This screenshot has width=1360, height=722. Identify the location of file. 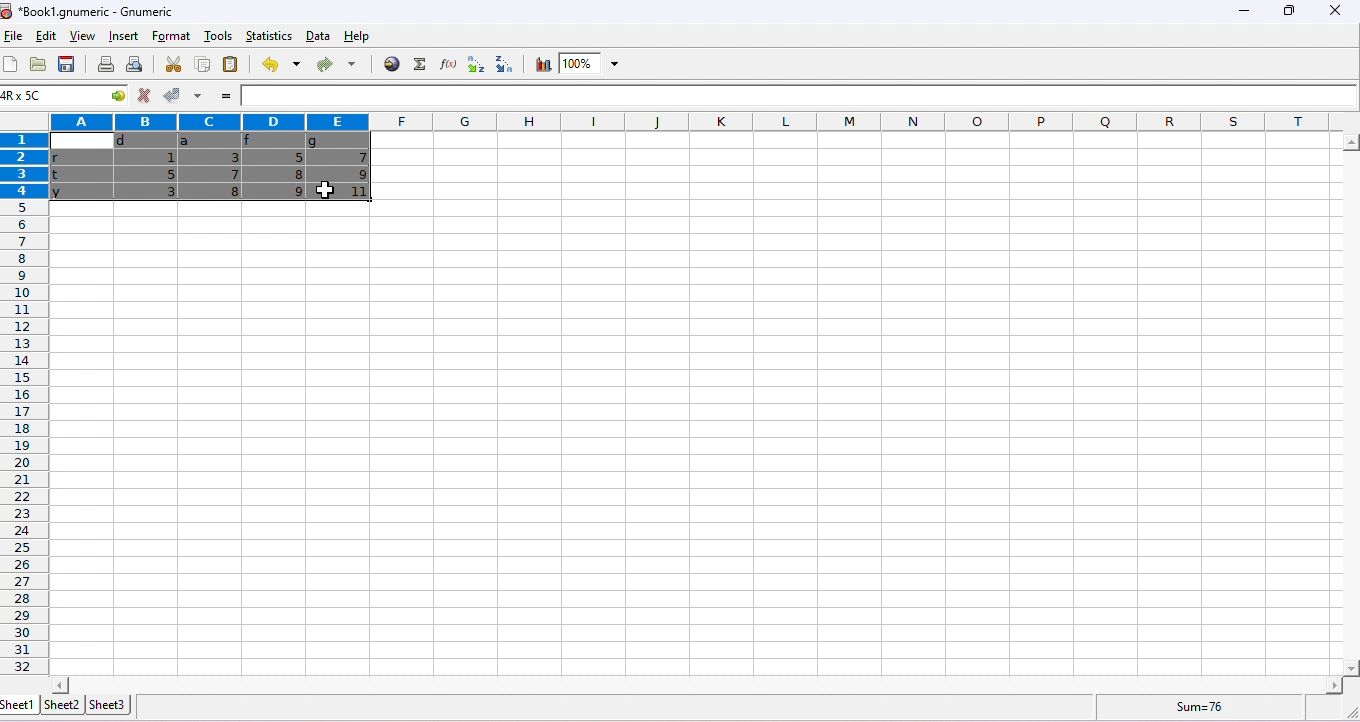
(14, 37).